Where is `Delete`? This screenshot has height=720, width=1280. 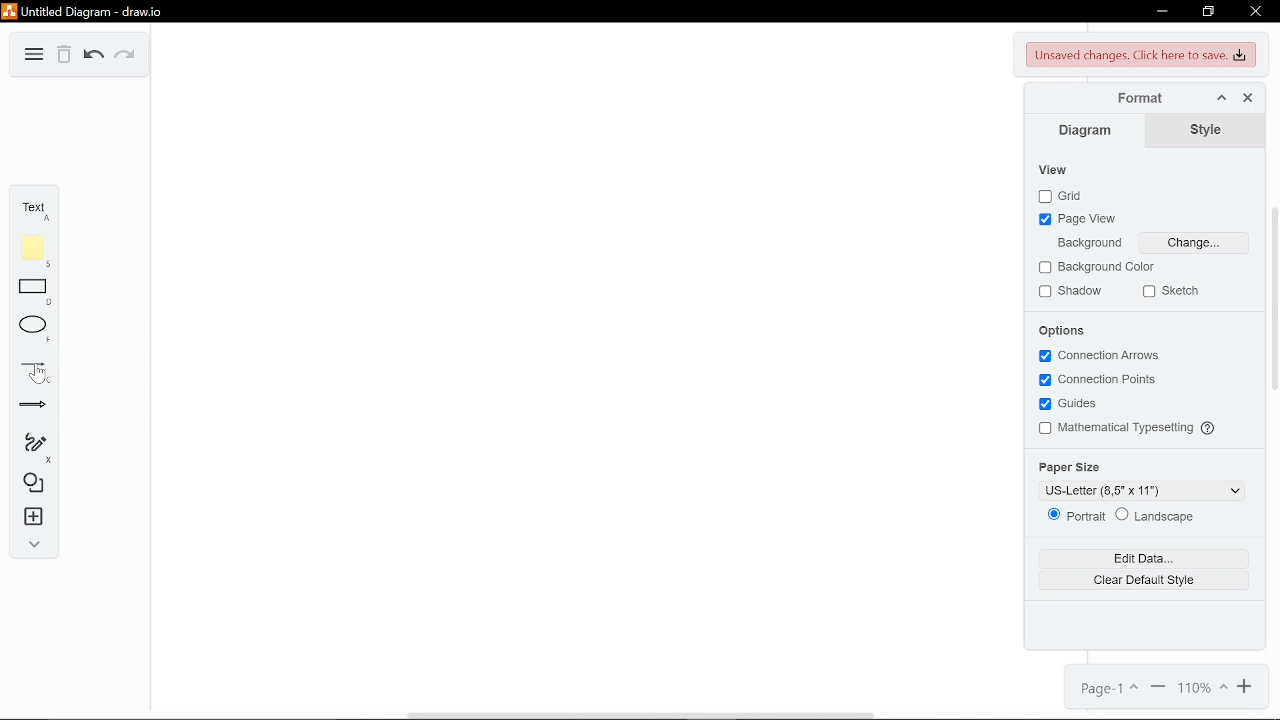
Delete is located at coordinates (63, 56).